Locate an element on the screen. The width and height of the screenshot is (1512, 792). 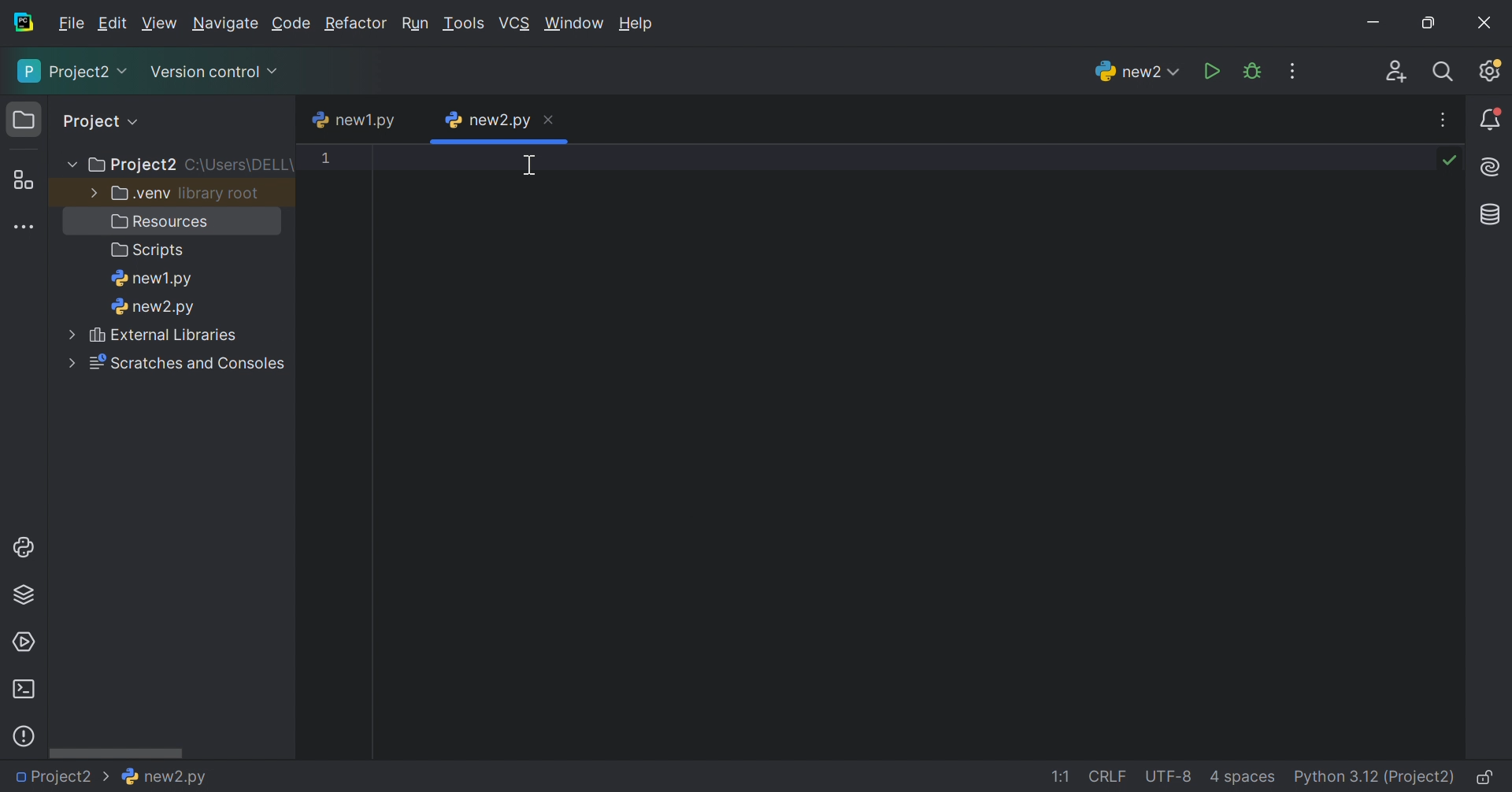
1 is located at coordinates (333, 165).